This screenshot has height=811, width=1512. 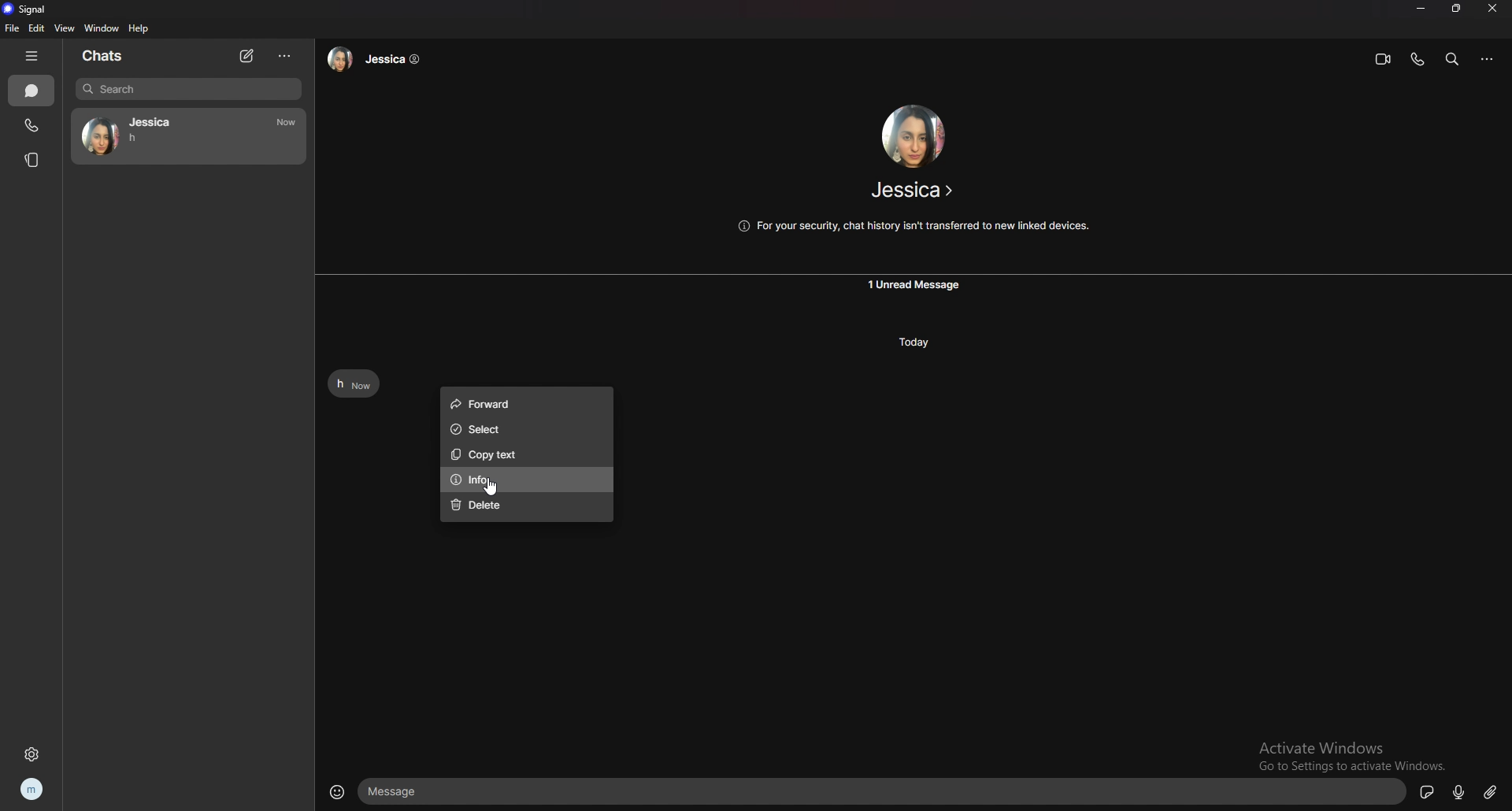 What do you see at coordinates (524, 481) in the screenshot?
I see `info` at bounding box center [524, 481].